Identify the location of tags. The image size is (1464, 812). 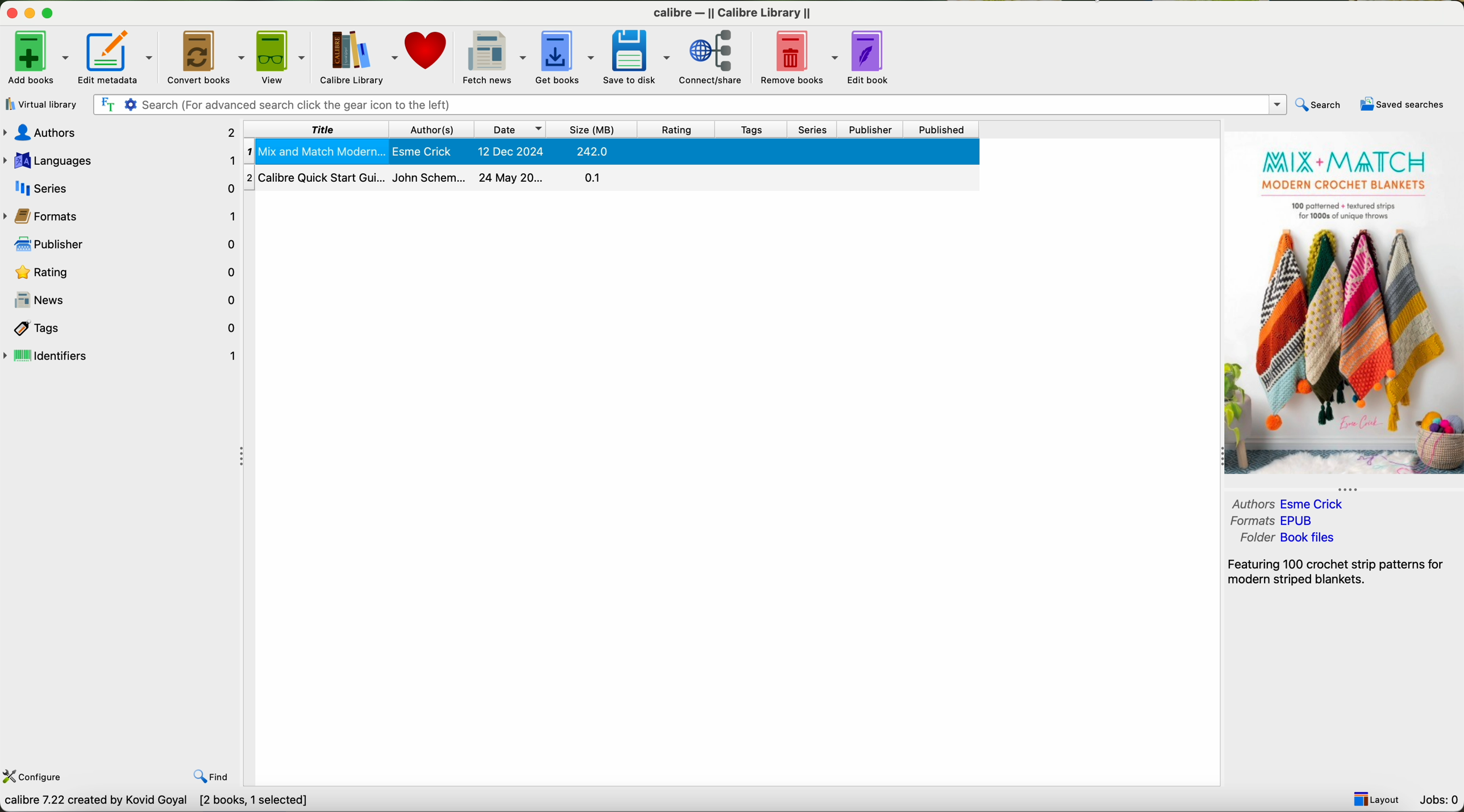
(120, 328).